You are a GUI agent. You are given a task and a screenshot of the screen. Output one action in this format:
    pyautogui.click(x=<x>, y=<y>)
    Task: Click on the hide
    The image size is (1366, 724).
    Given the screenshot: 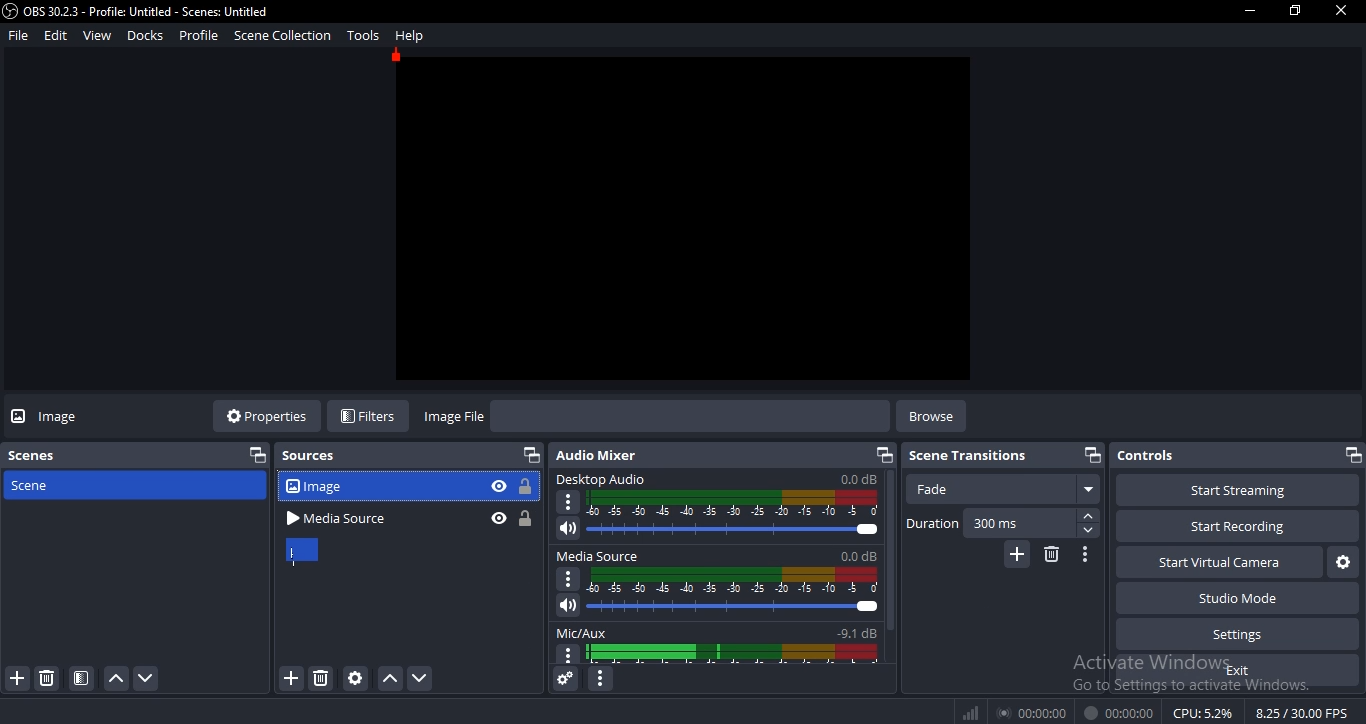 What is the action you would take?
    pyautogui.click(x=497, y=487)
    